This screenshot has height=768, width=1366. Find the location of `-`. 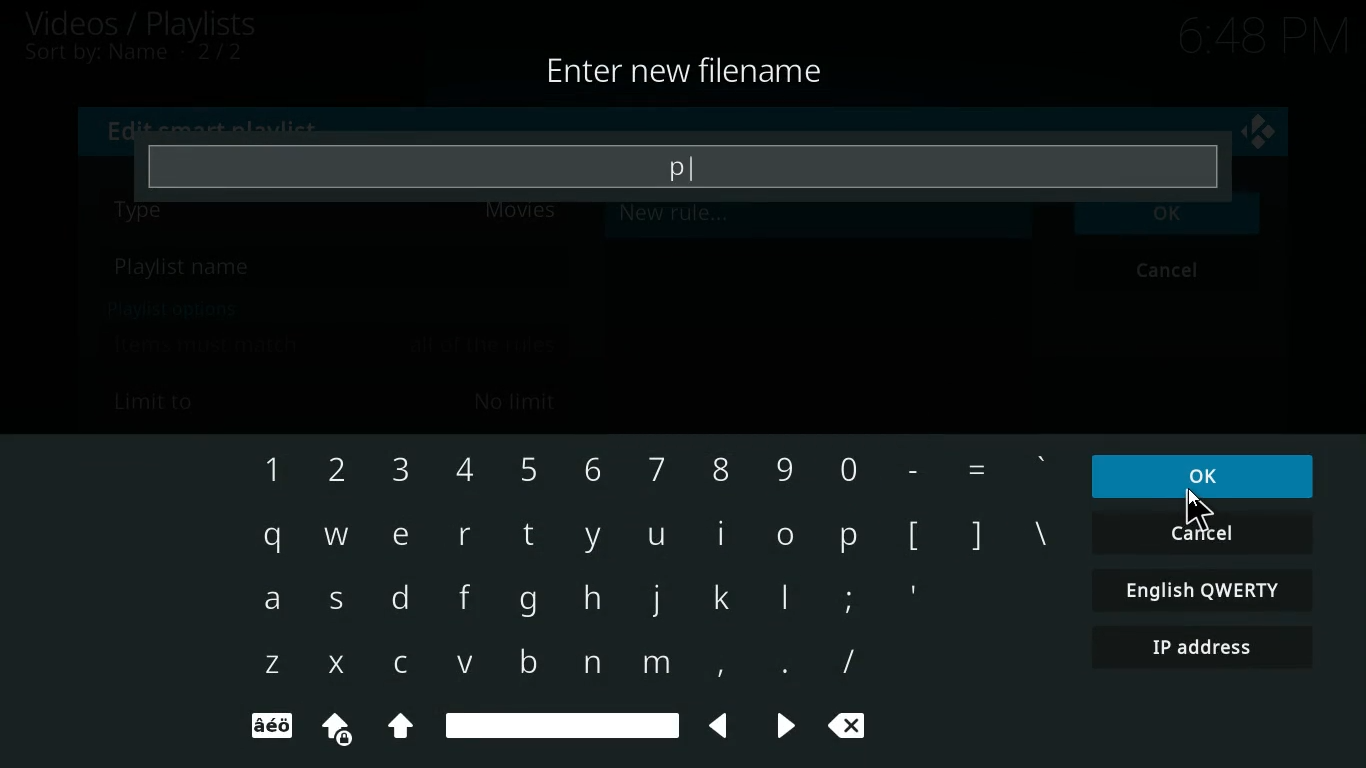

- is located at coordinates (908, 466).